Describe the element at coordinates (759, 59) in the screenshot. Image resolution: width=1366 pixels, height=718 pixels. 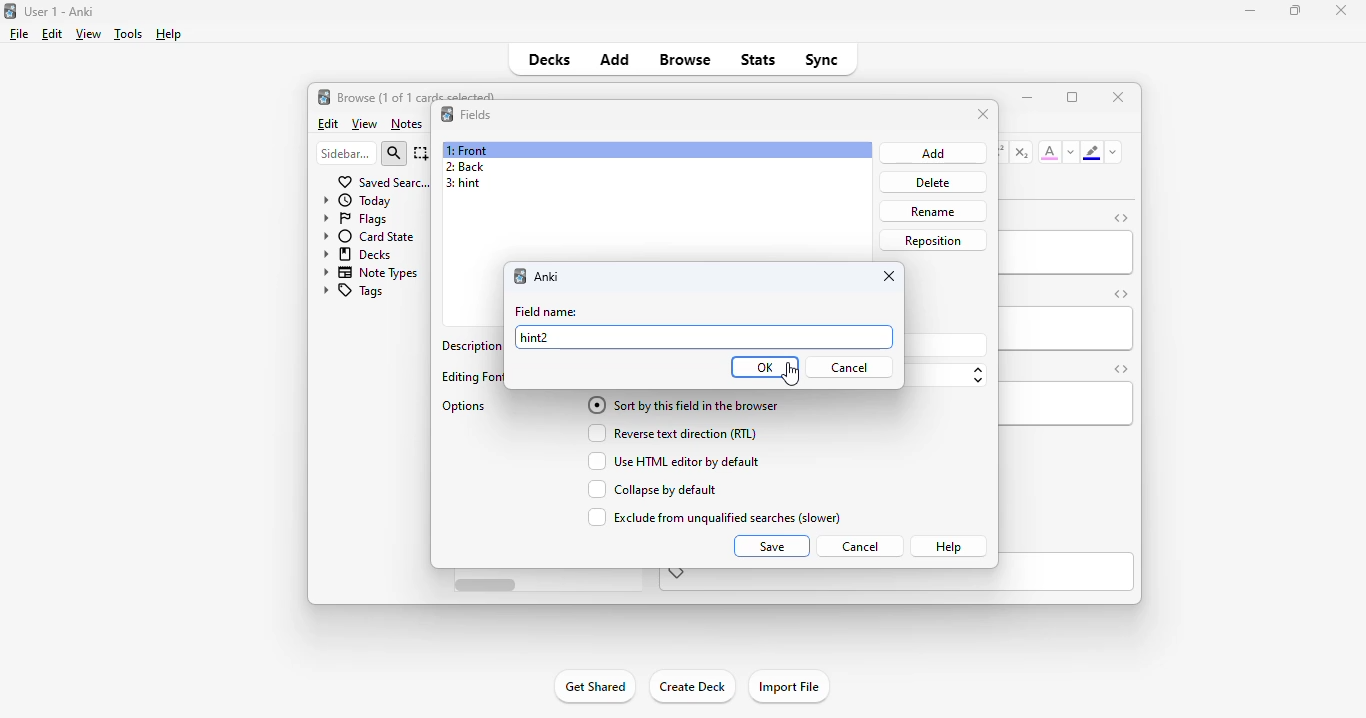
I see `stats` at that location.